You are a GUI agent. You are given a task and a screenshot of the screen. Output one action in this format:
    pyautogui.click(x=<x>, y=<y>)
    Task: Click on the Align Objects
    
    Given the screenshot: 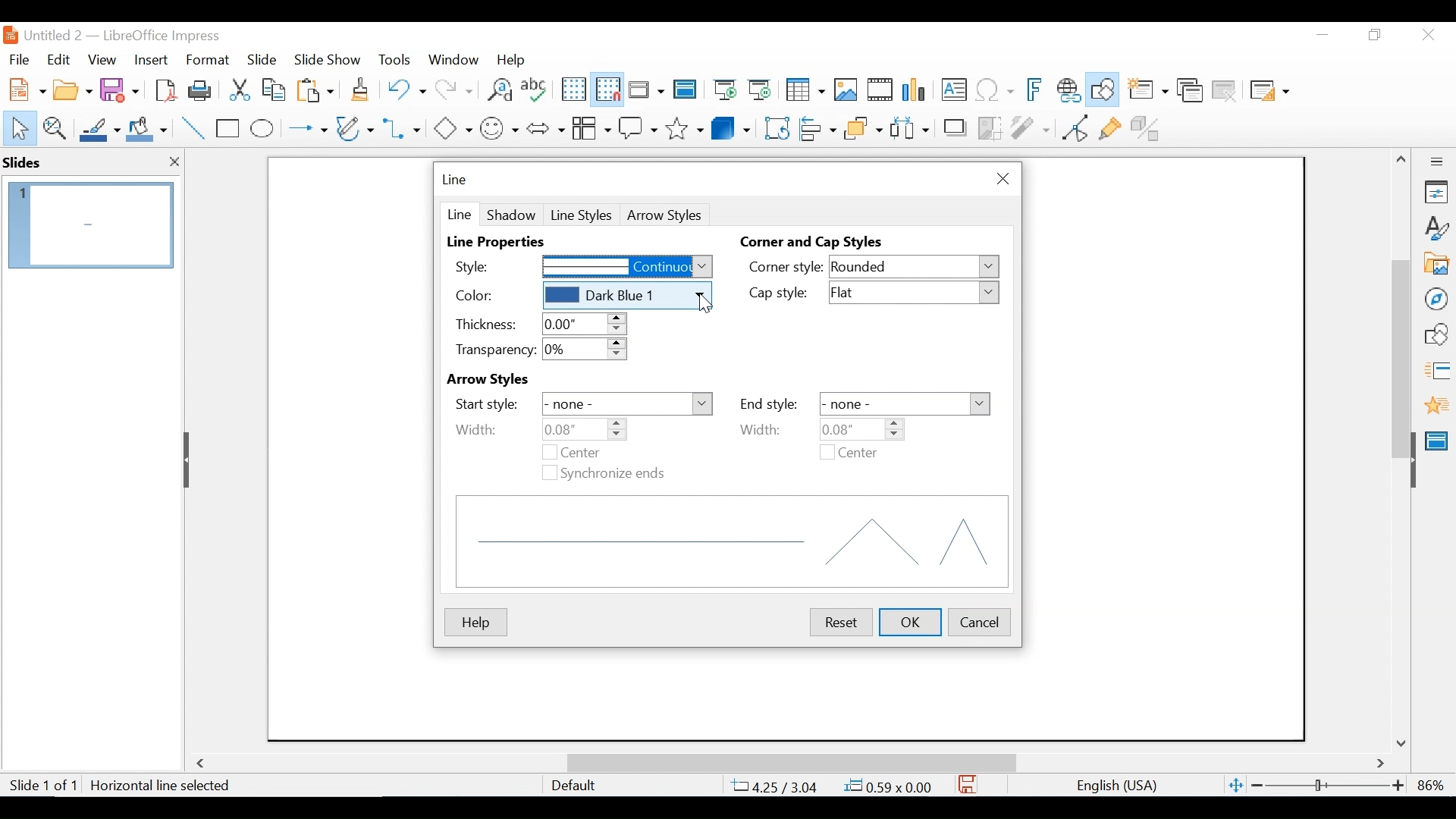 What is the action you would take?
    pyautogui.click(x=816, y=127)
    